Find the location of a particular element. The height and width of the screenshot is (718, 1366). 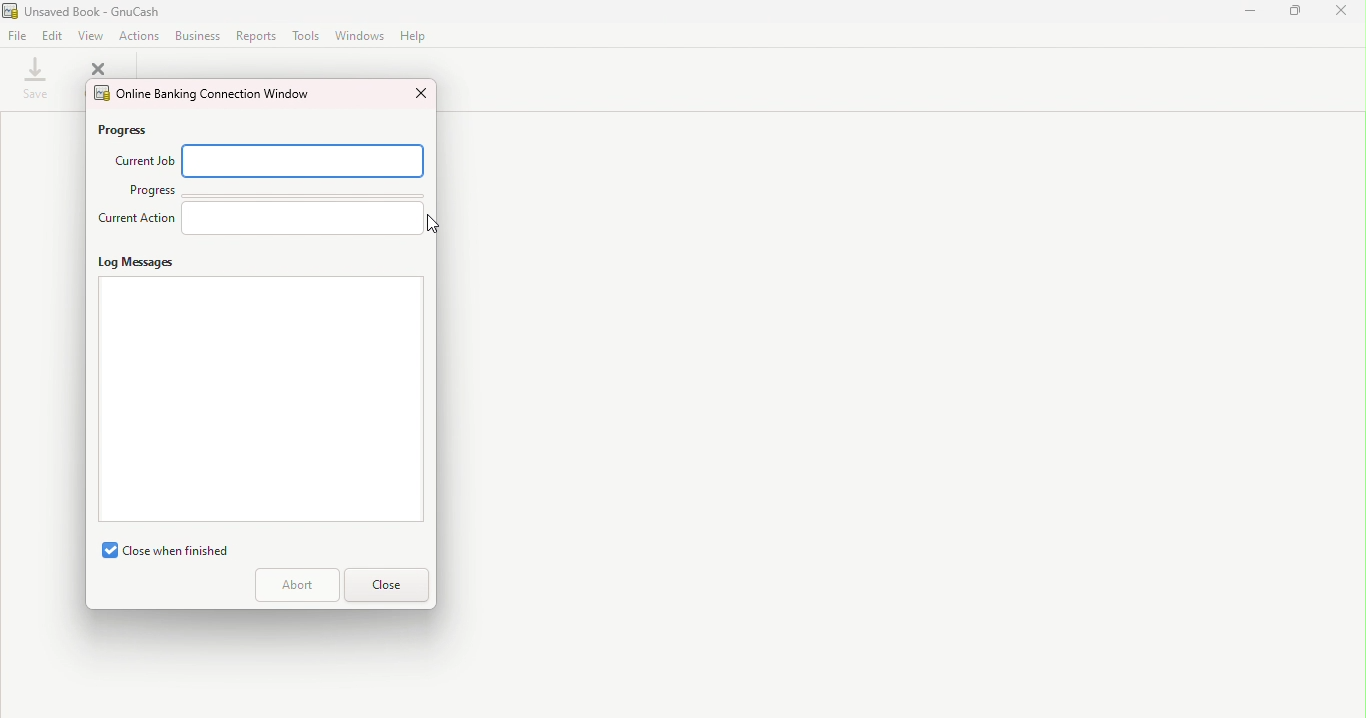

Edit is located at coordinates (54, 35).